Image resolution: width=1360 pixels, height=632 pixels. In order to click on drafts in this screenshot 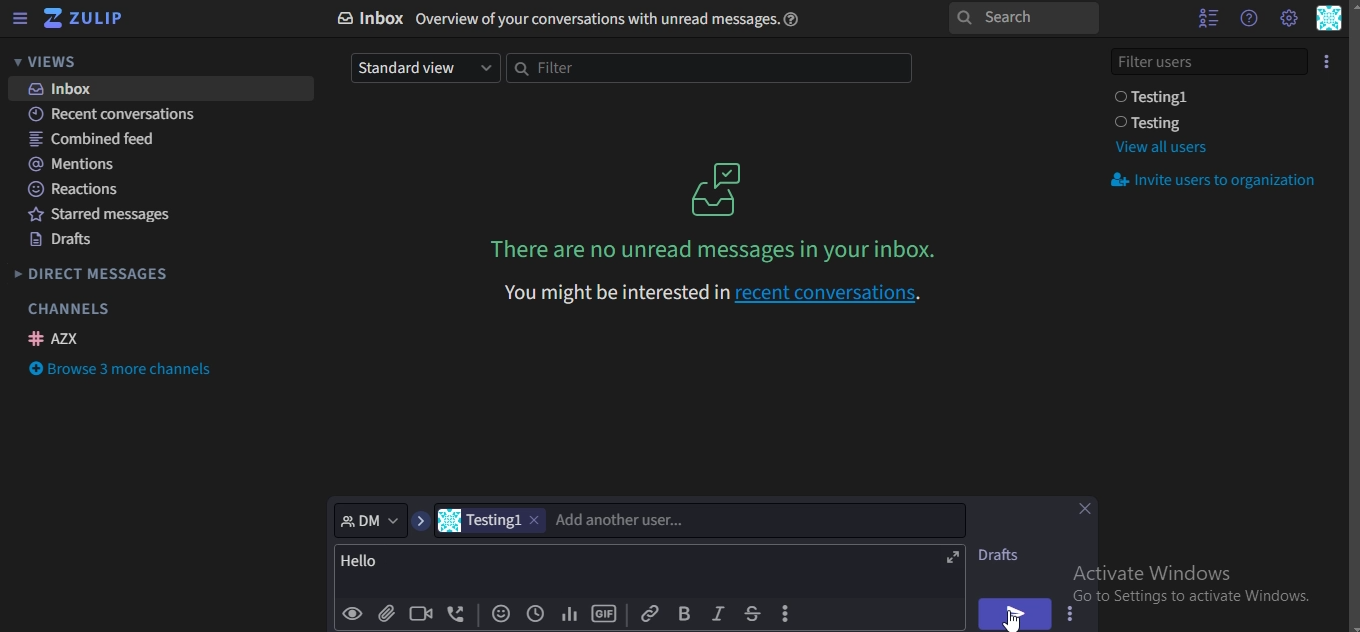, I will do `click(63, 242)`.